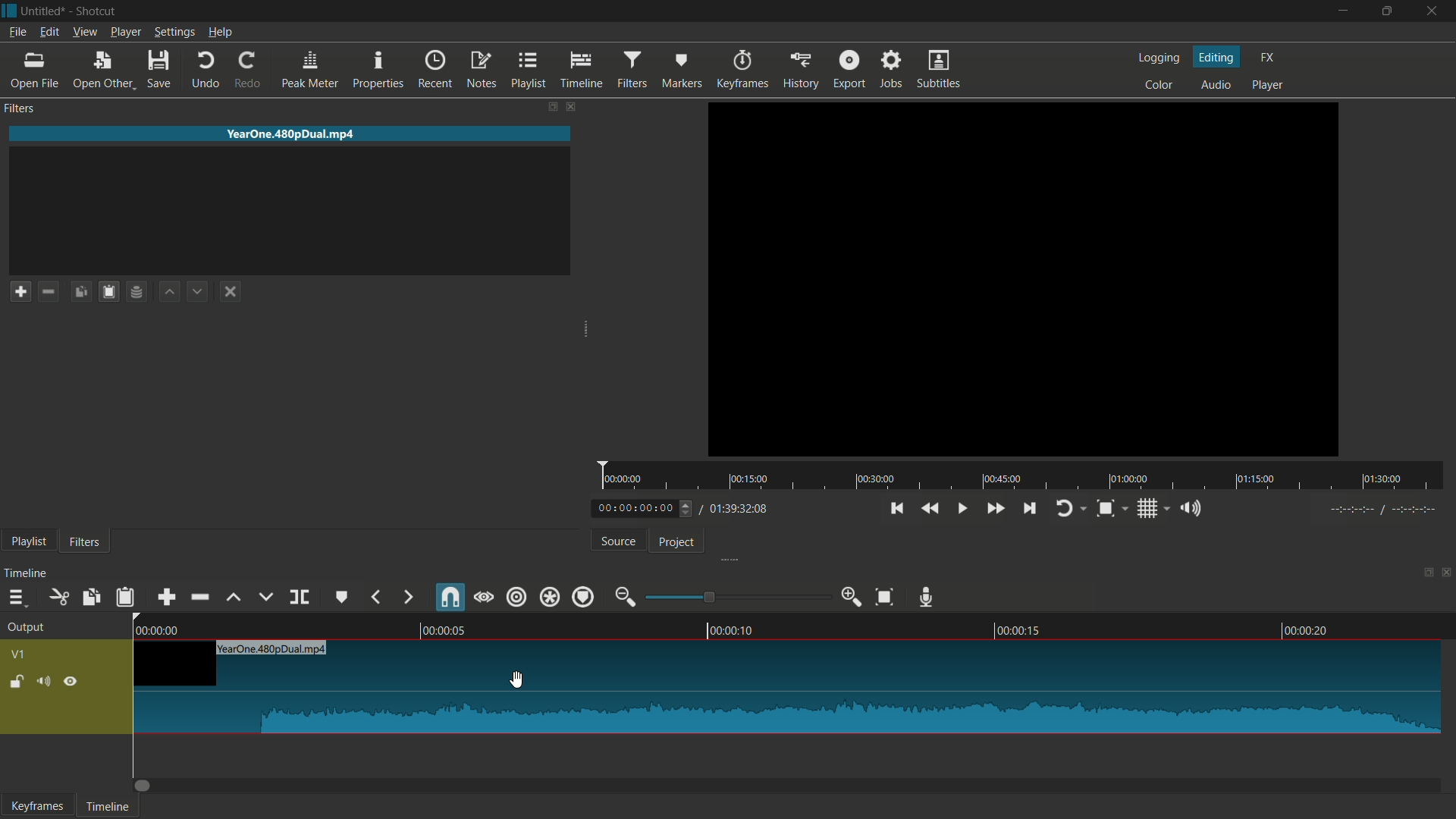  I want to click on ripple all tracks, so click(550, 596).